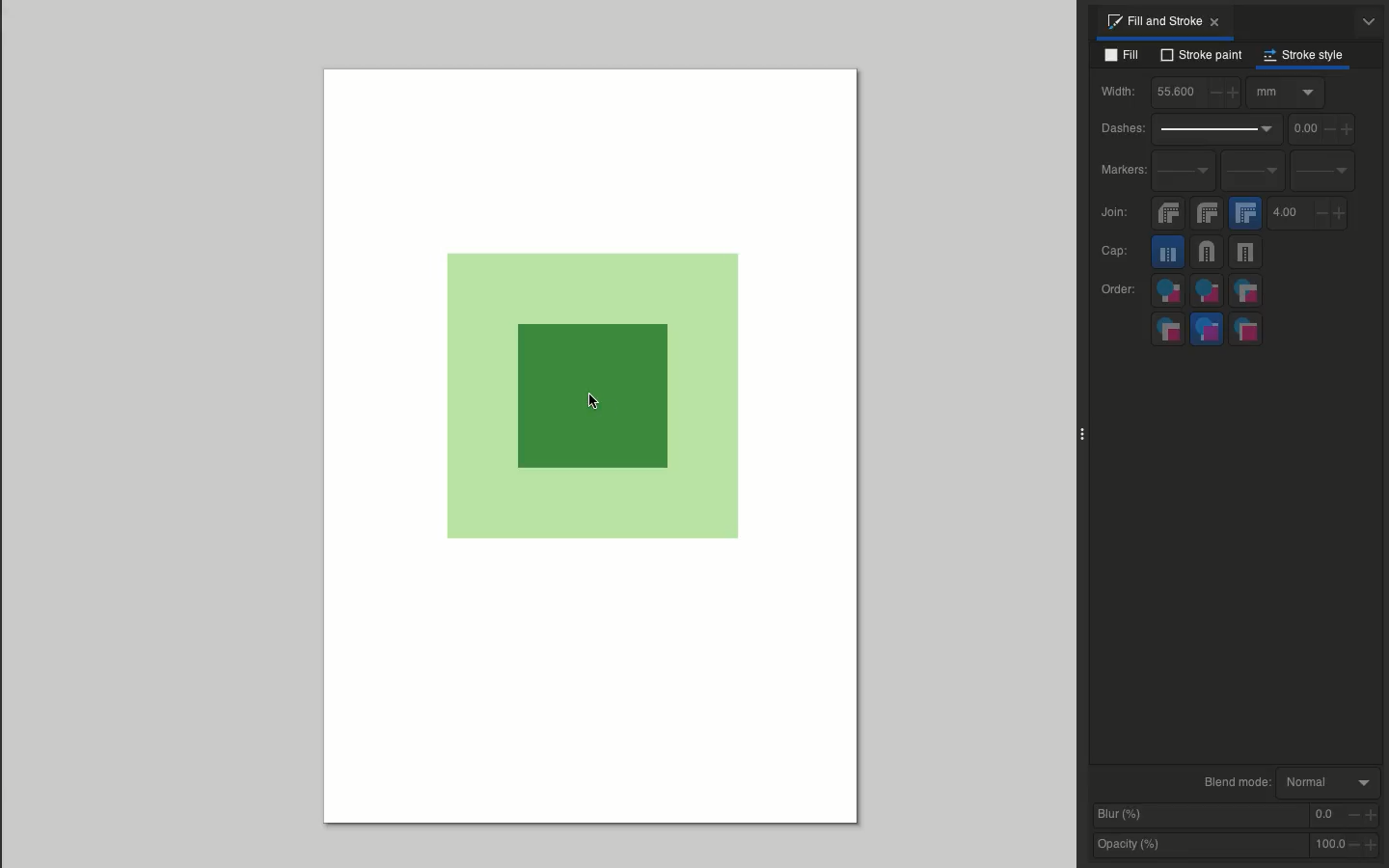 This screenshot has width=1389, height=868. Describe the element at coordinates (1119, 290) in the screenshot. I see `Order` at that location.